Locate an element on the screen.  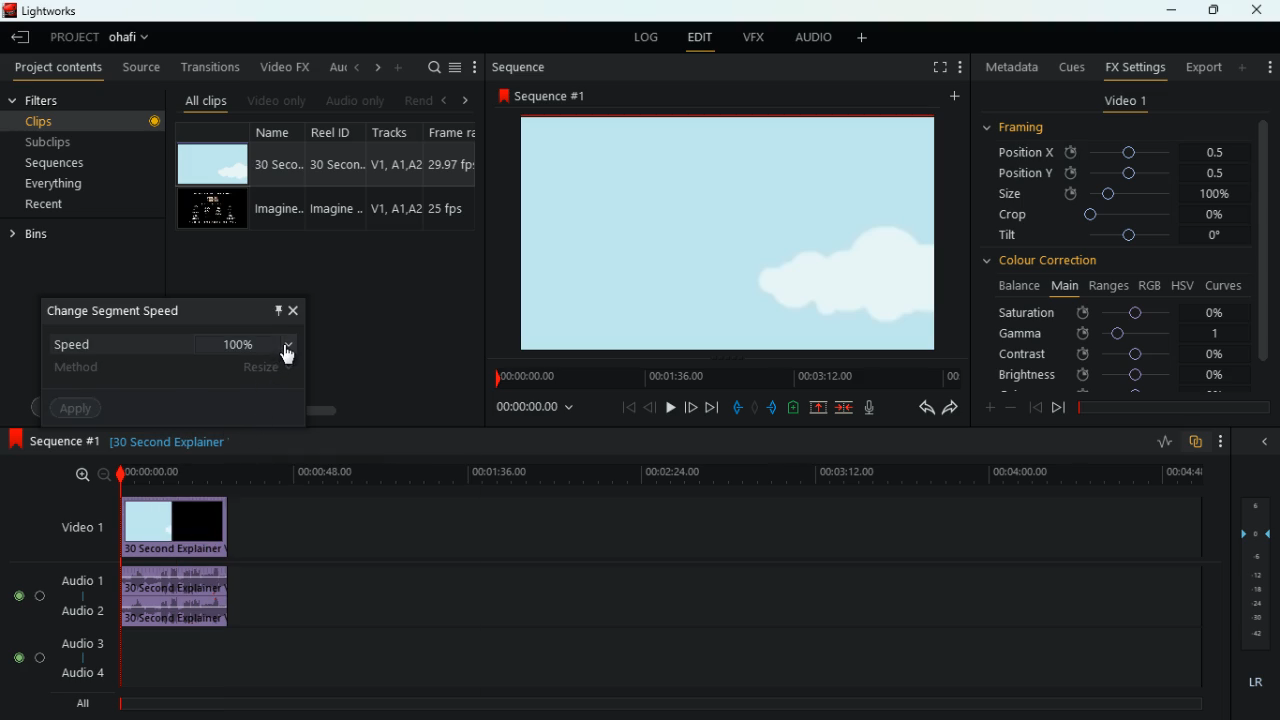
beggining is located at coordinates (1034, 406).